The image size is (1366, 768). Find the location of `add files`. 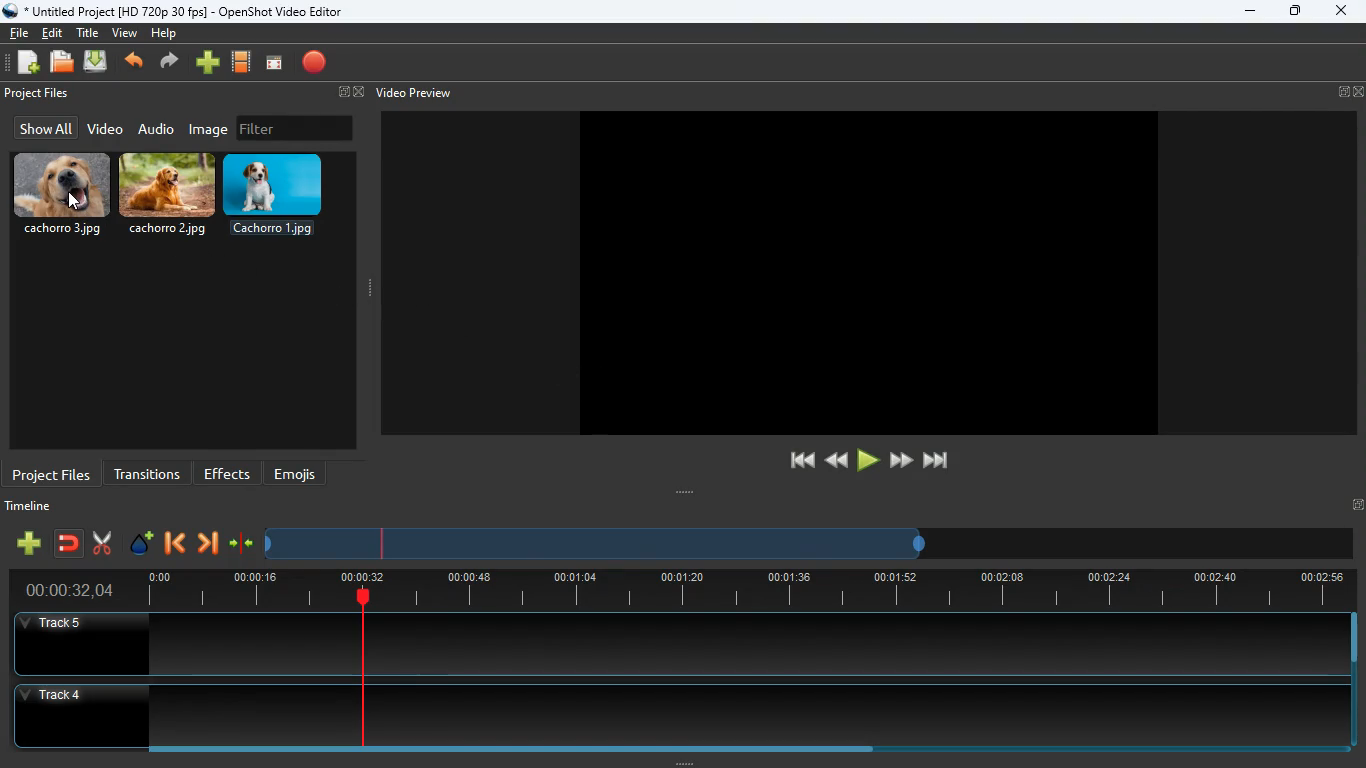

add files is located at coordinates (30, 65).